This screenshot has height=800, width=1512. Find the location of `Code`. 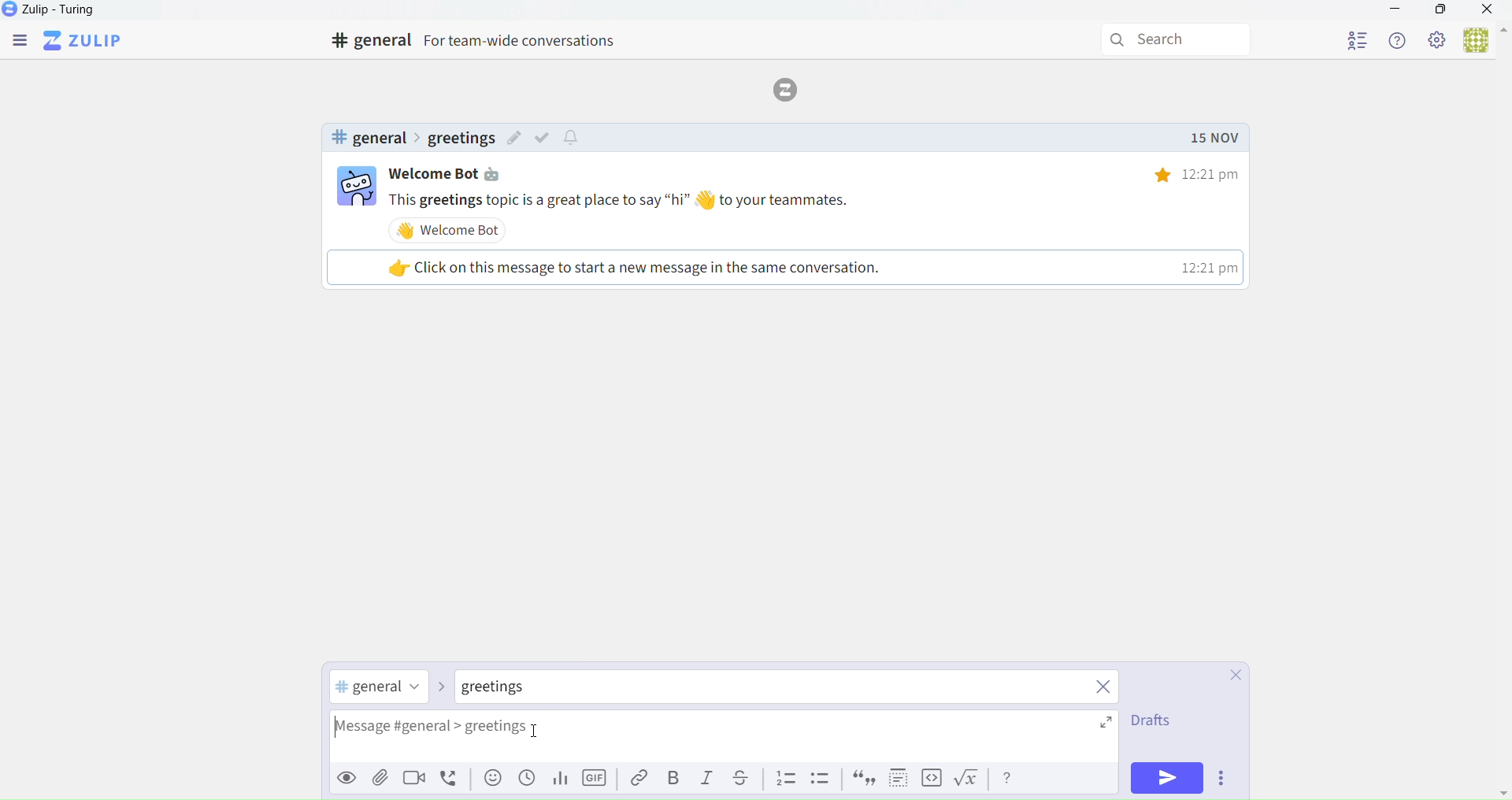

Code is located at coordinates (930, 779).